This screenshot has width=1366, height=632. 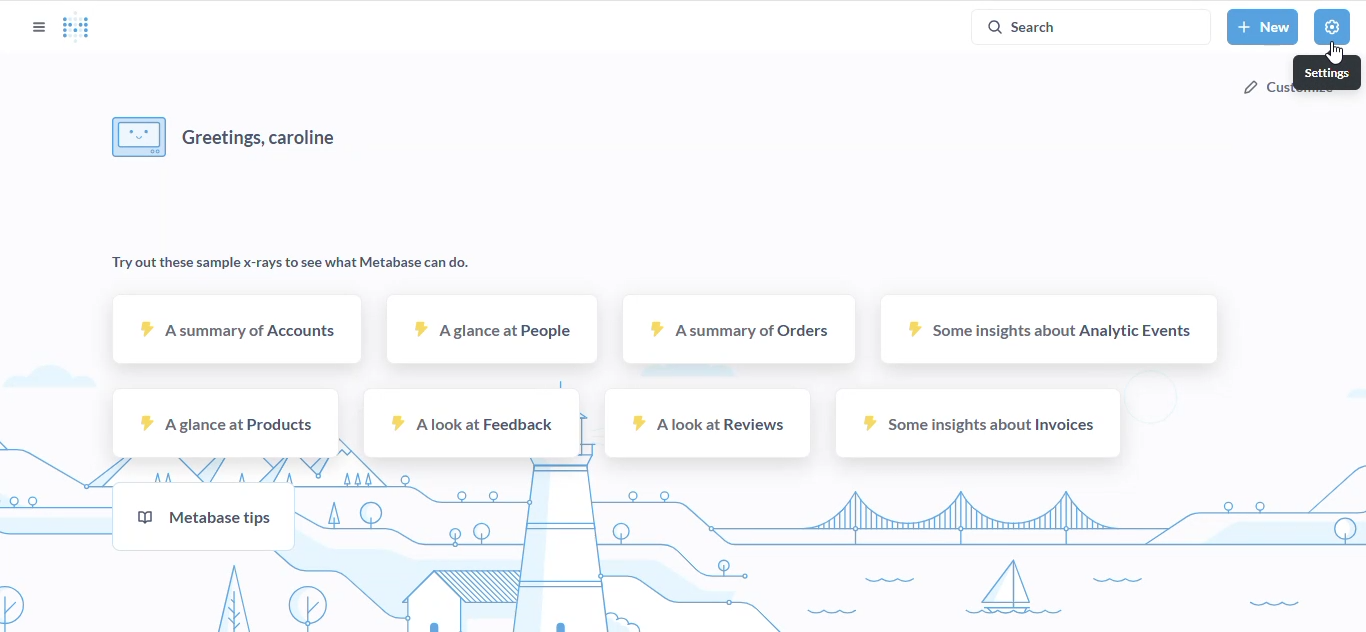 I want to click on a summary of orders, so click(x=738, y=330).